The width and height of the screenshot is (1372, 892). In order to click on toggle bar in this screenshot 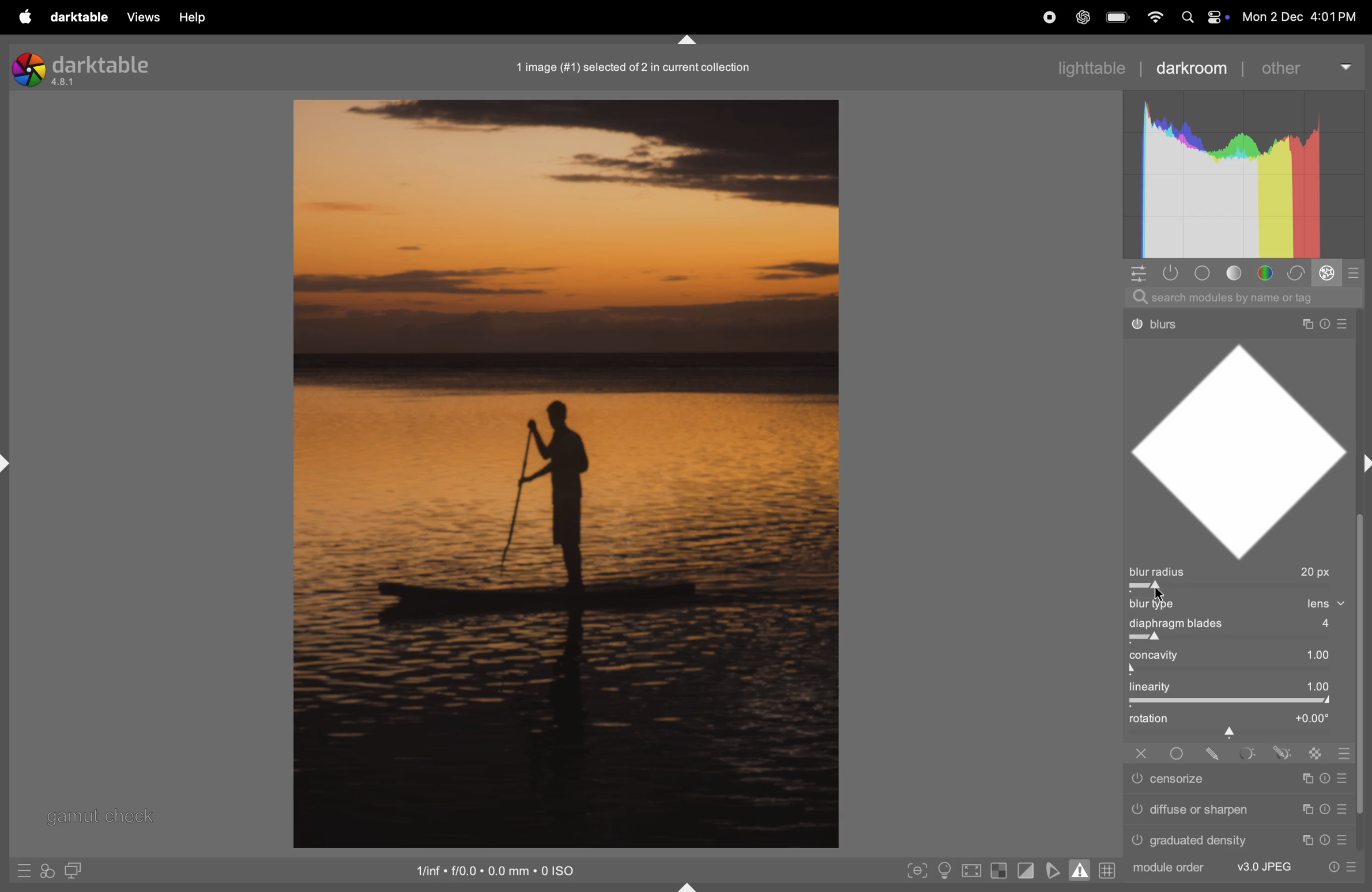, I will do `click(1239, 588)`.